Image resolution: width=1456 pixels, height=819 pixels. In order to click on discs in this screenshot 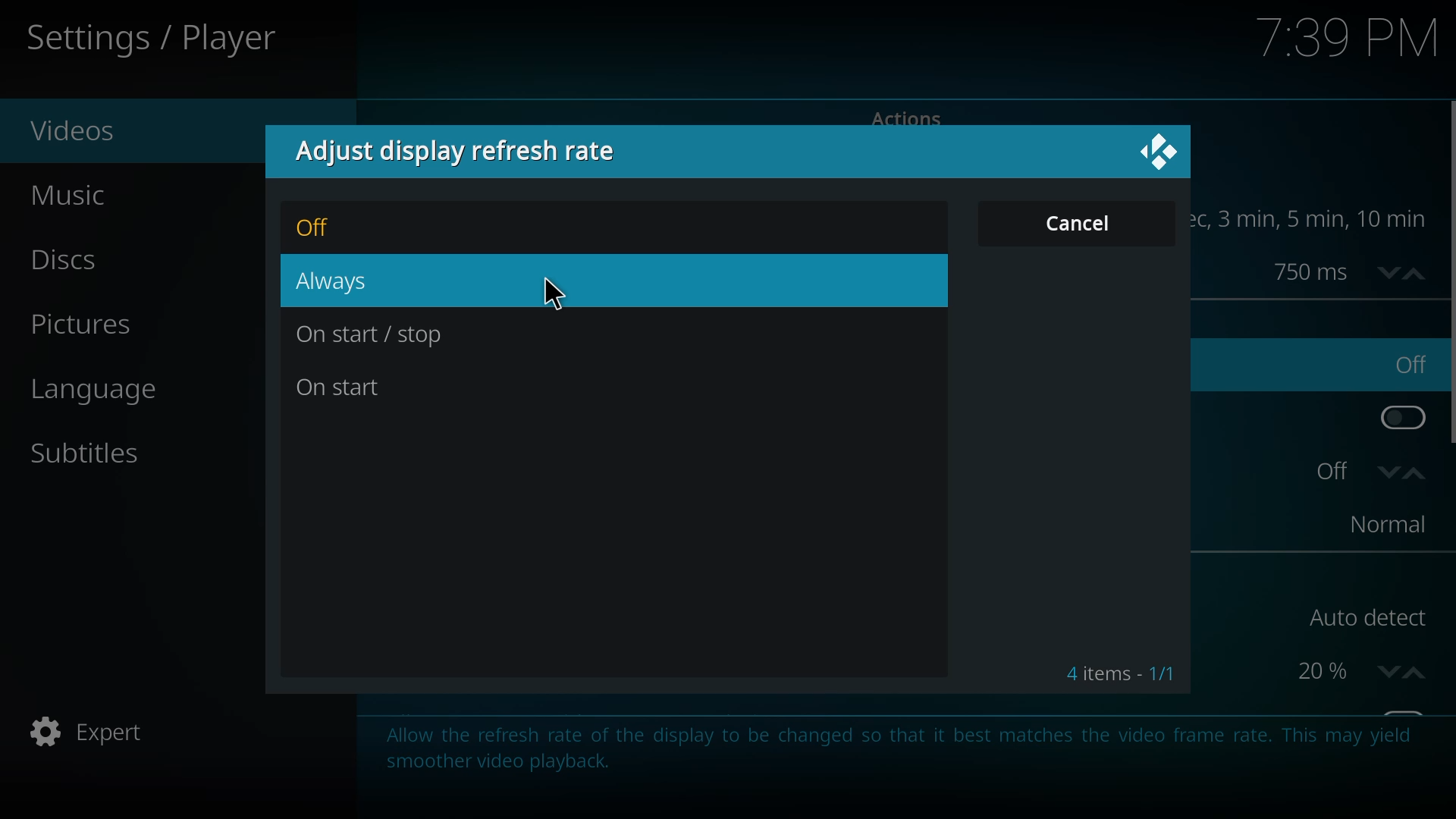, I will do `click(80, 262)`.